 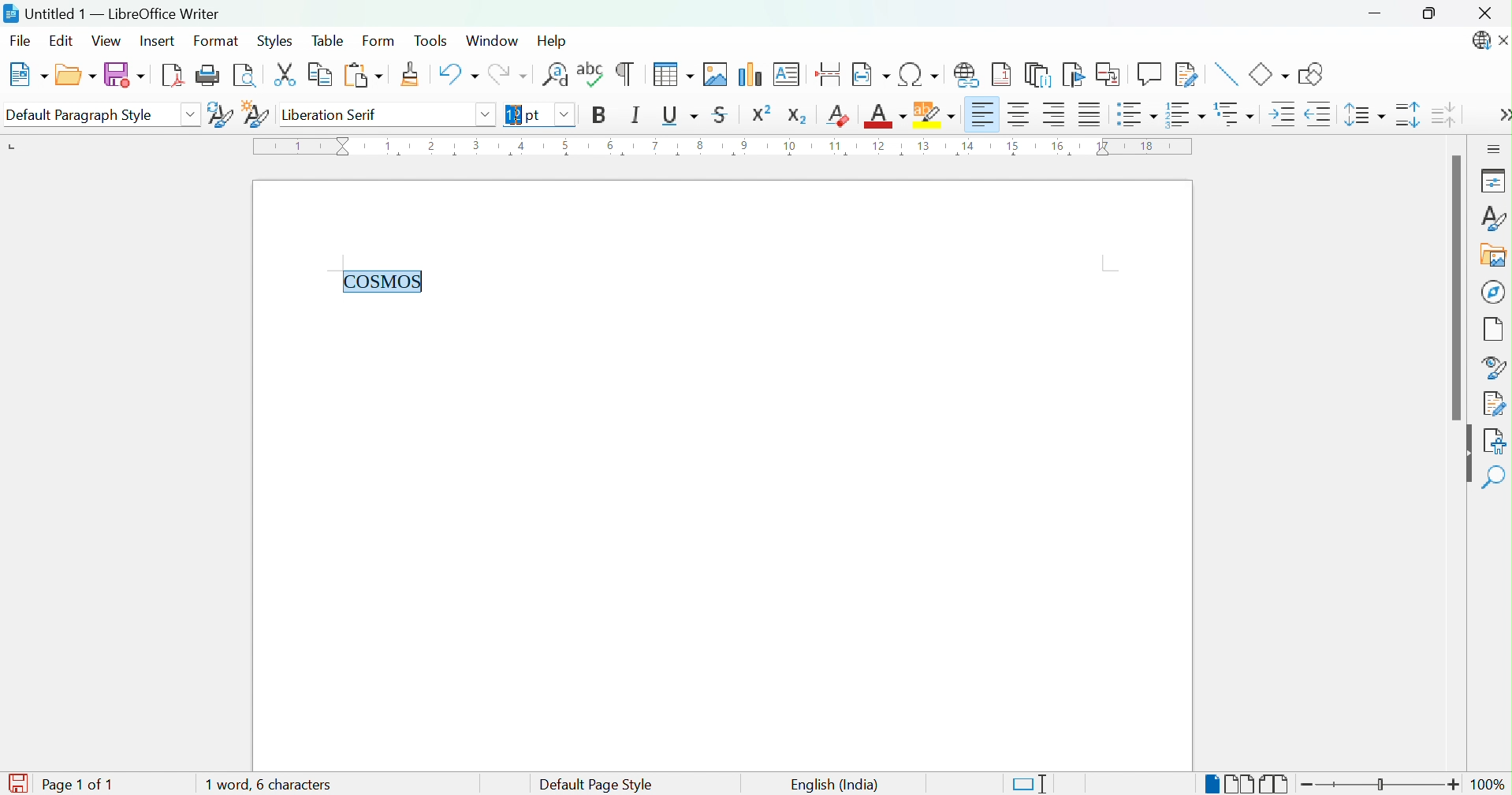 I want to click on Accessibility Check, so click(x=1497, y=439).